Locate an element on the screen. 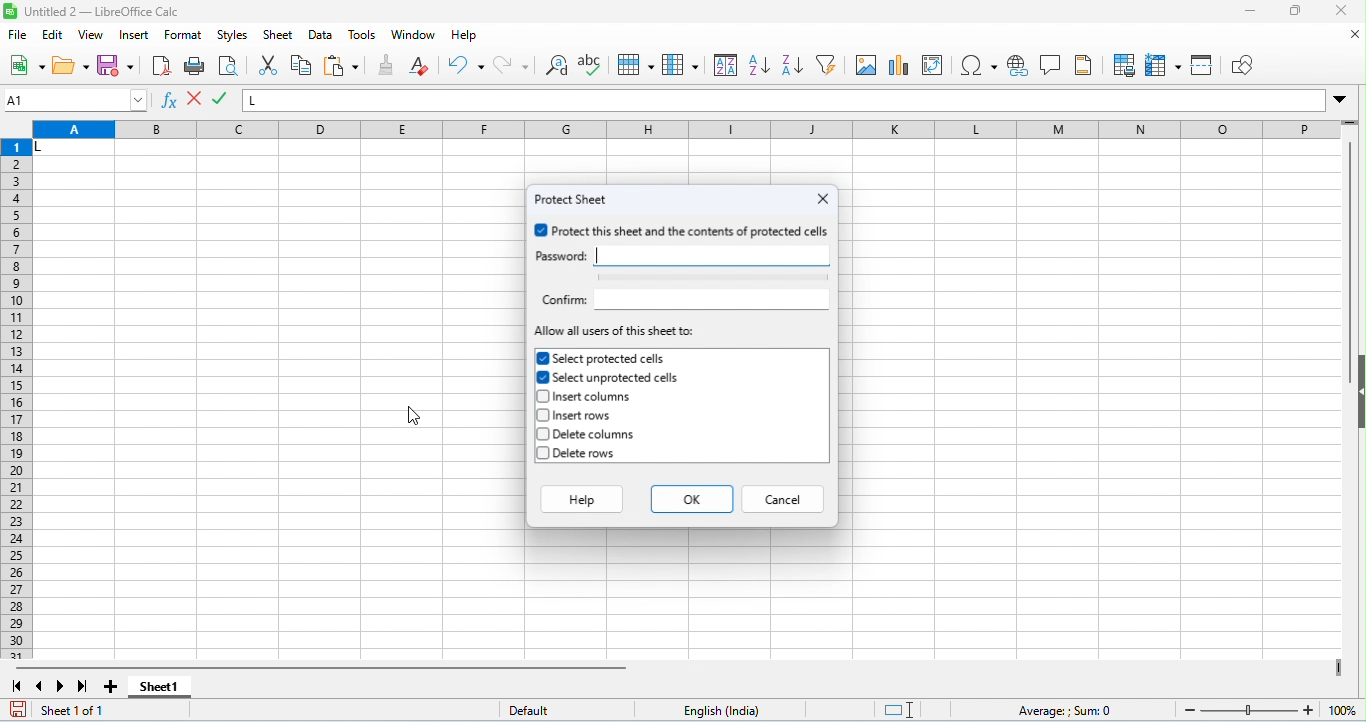 Image resolution: width=1366 pixels, height=722 pixels. drag to view rows is located at coordinates (1350, 122).